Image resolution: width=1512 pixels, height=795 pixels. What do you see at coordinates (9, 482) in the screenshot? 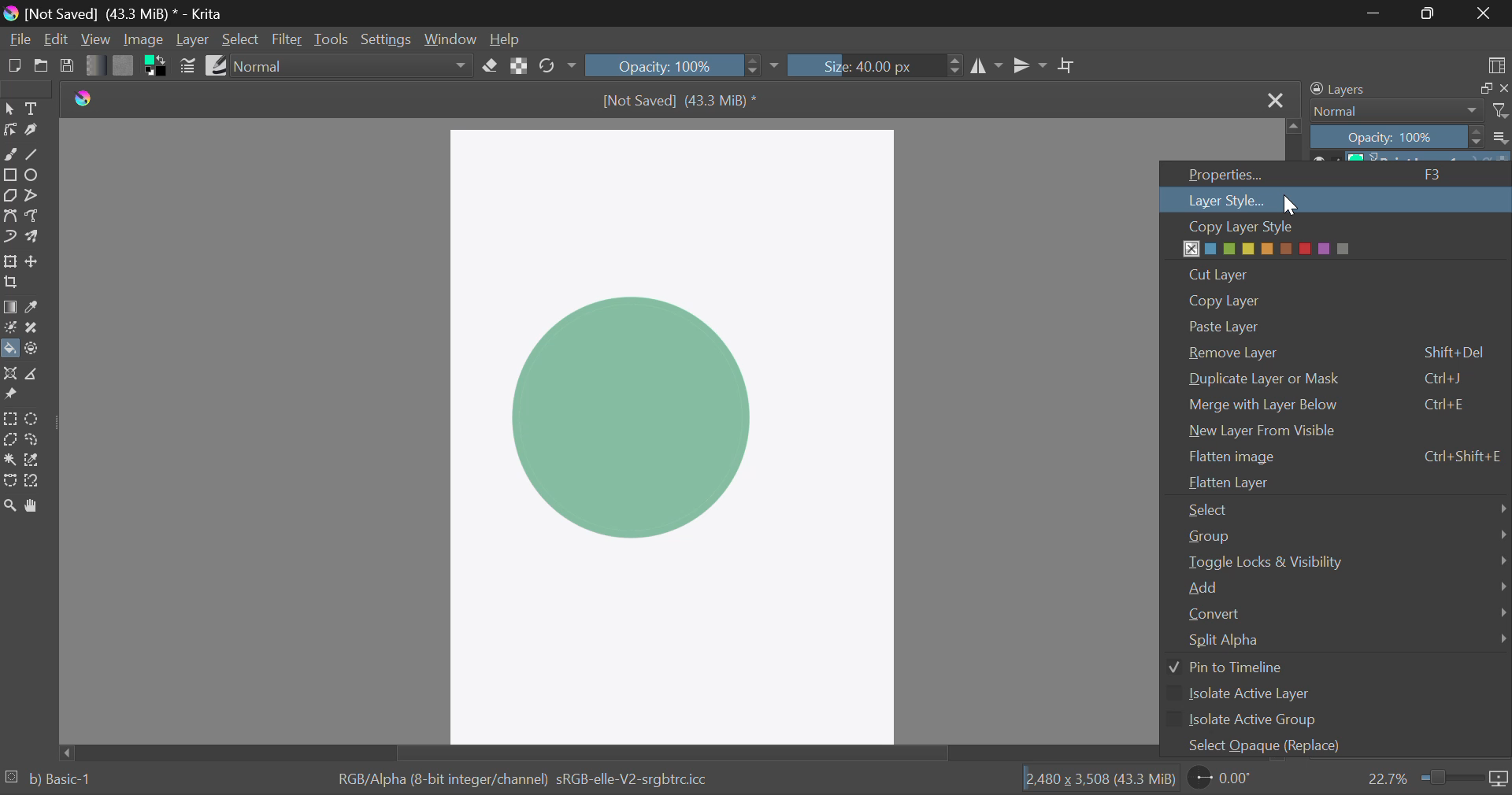
I see `Bezier Curve Selection` at bounding box center [9, 482].